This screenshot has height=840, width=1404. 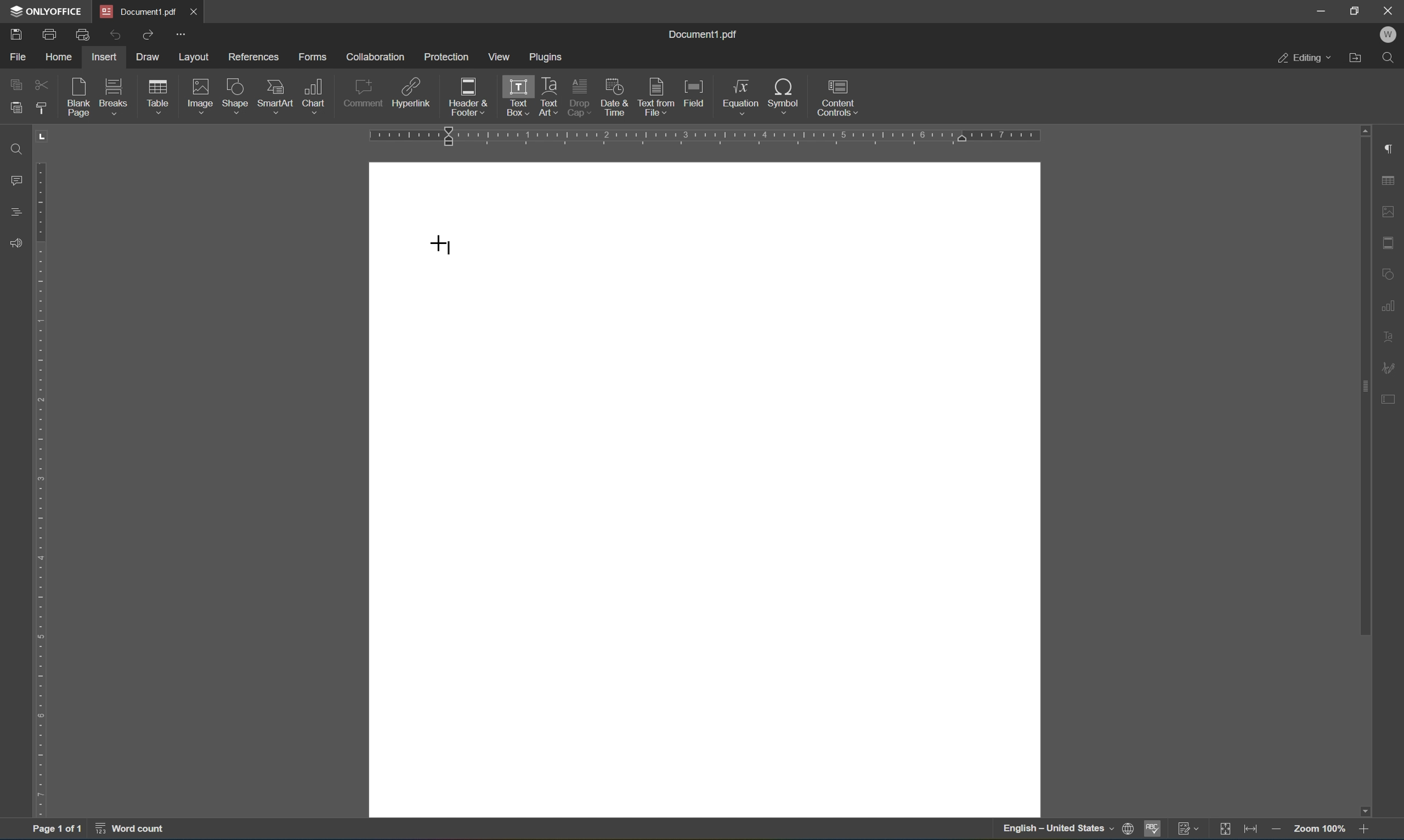 I want to click on Welcome, so click(x=1390, y=36).